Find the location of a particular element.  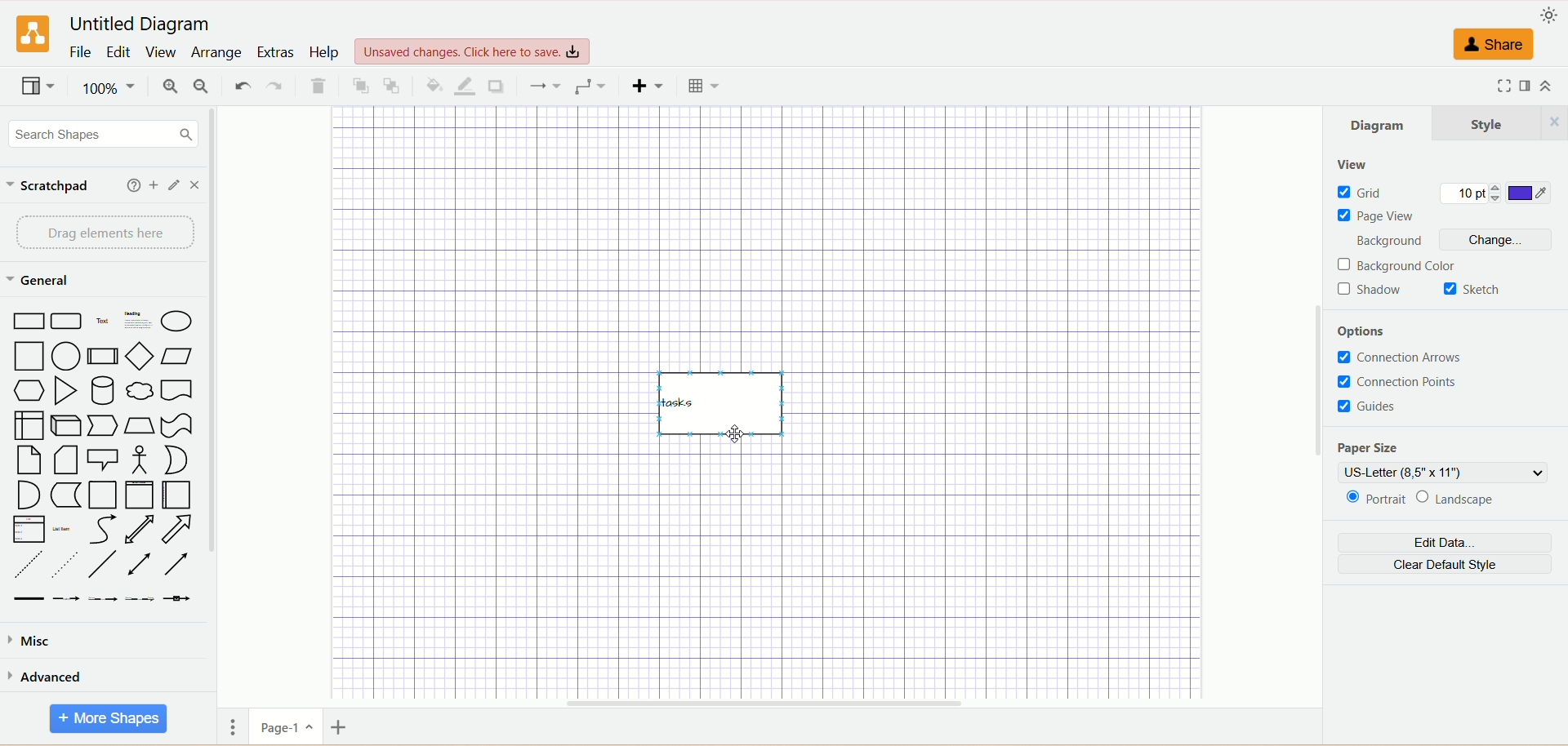

view is located at coordinates (37, 86).